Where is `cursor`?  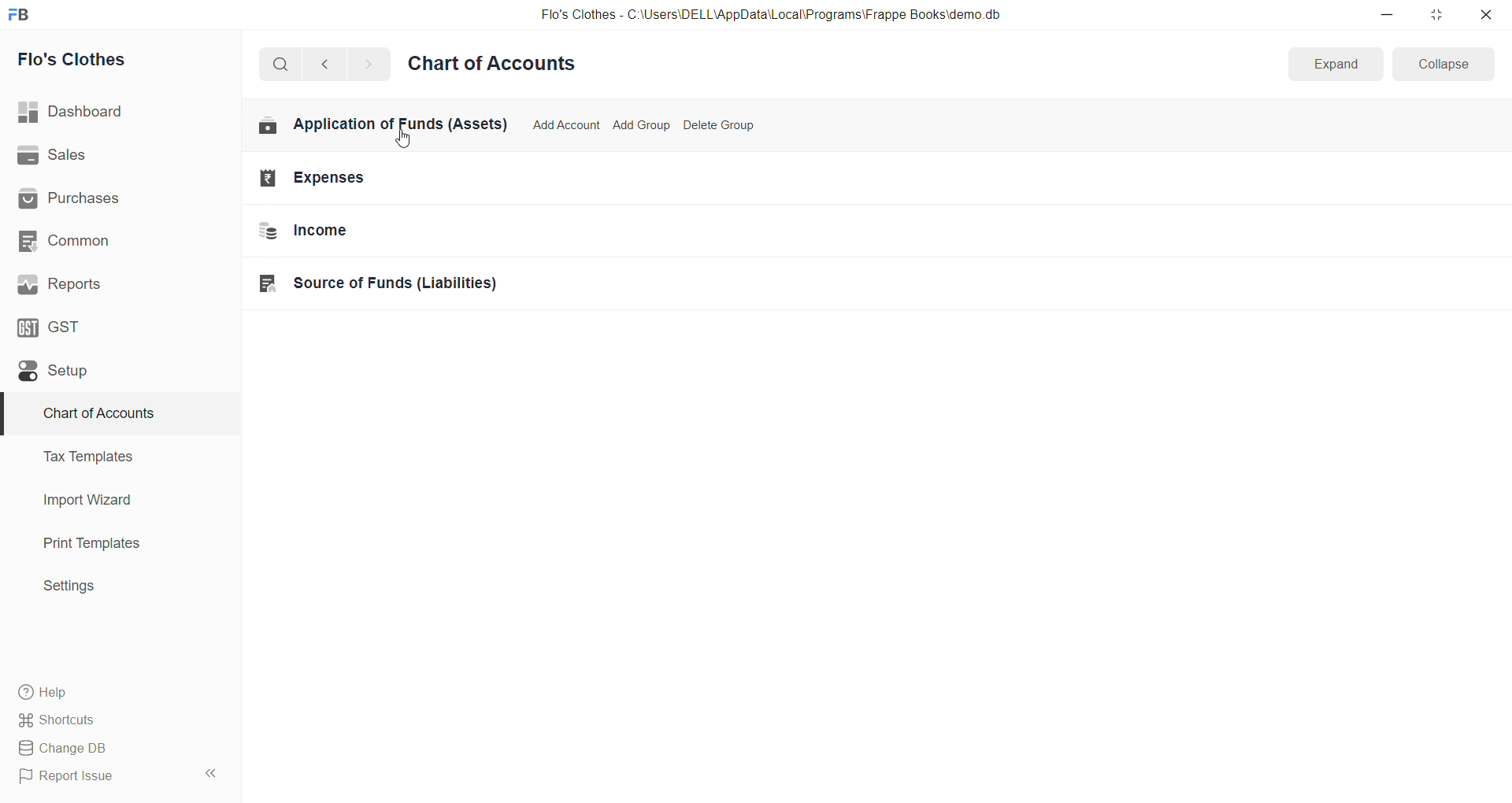
cursor is located at coordinates (409, 140).